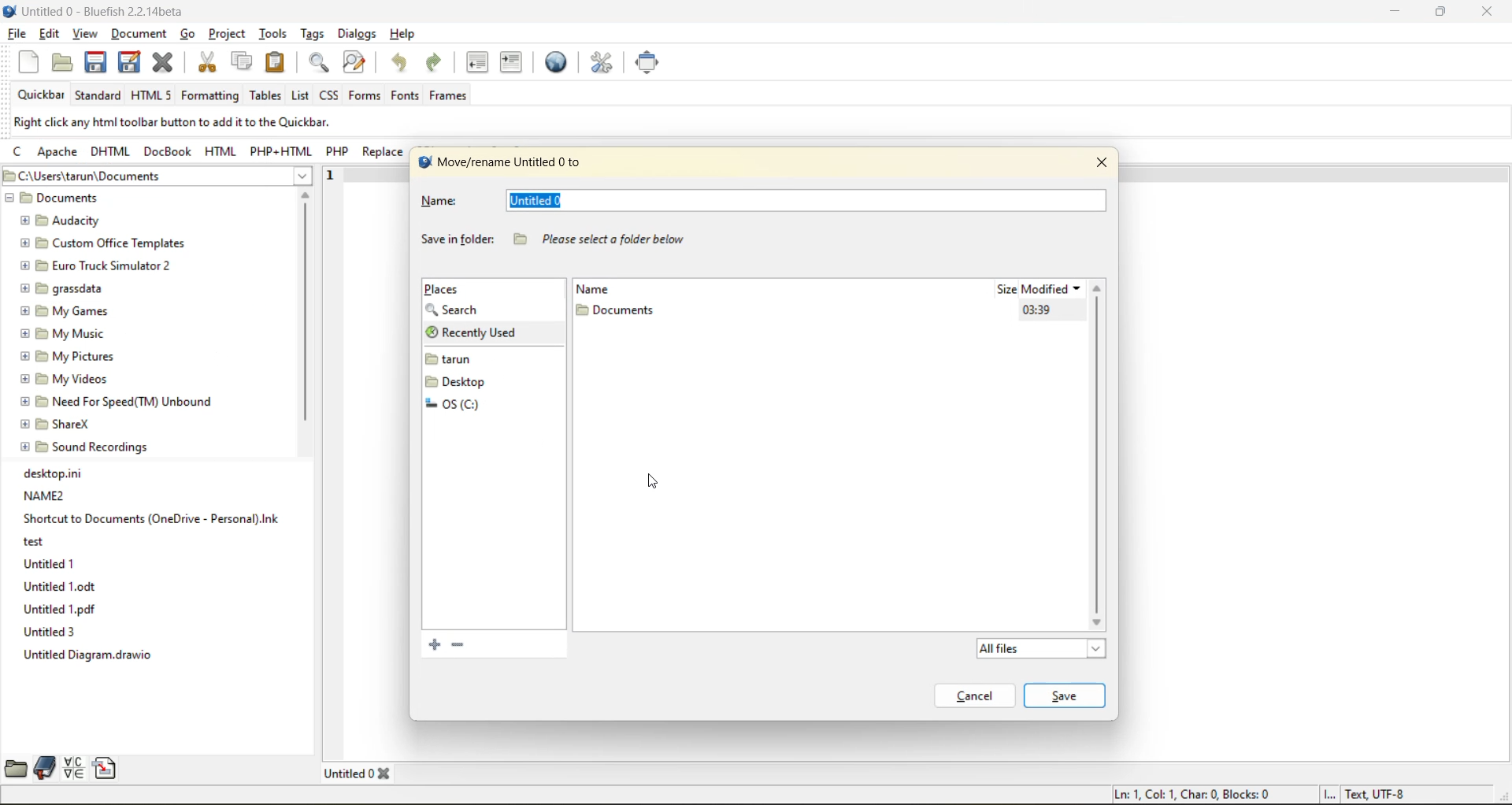 The height and width of the screenshot is (805, 1512). Describe the element at coordinates (275, 34) in the screenshot. I see `tools` at that location.